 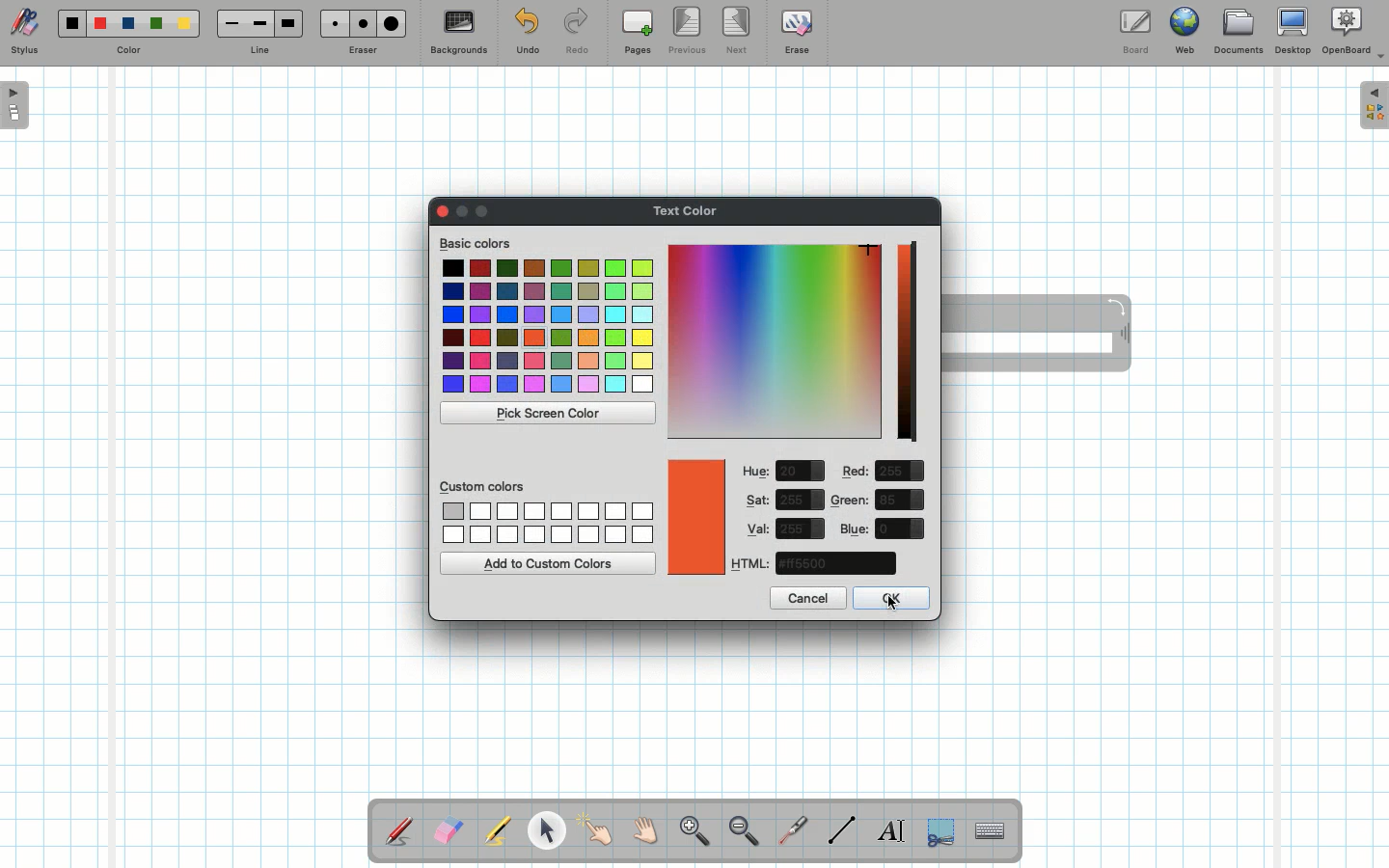 What do you see at coordinates (1134, 32) in the screenshot?
I see `Board` at bounding box center [1134, 32].